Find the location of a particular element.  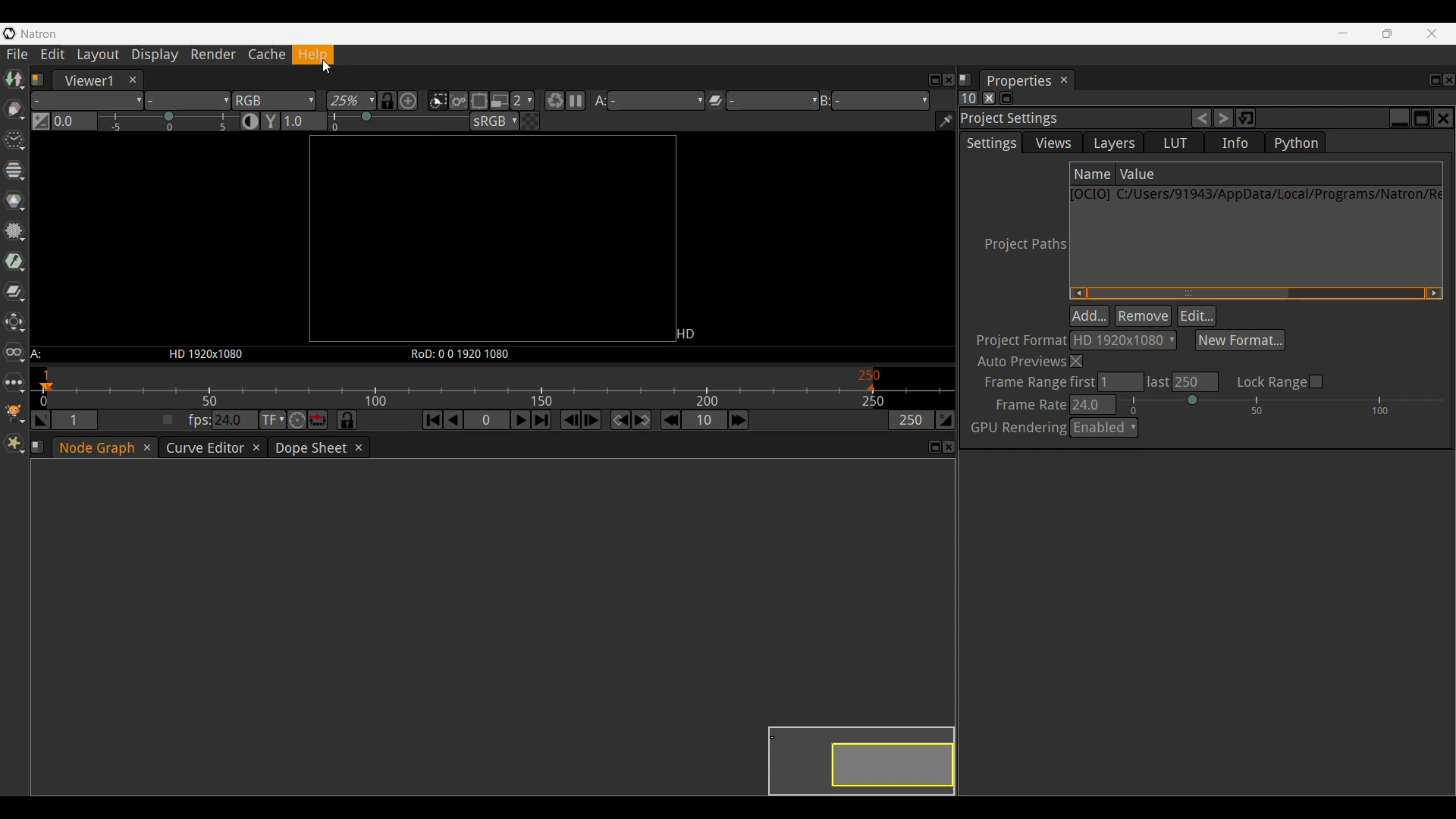

Dope sheet is located at coordinates (308, 448).